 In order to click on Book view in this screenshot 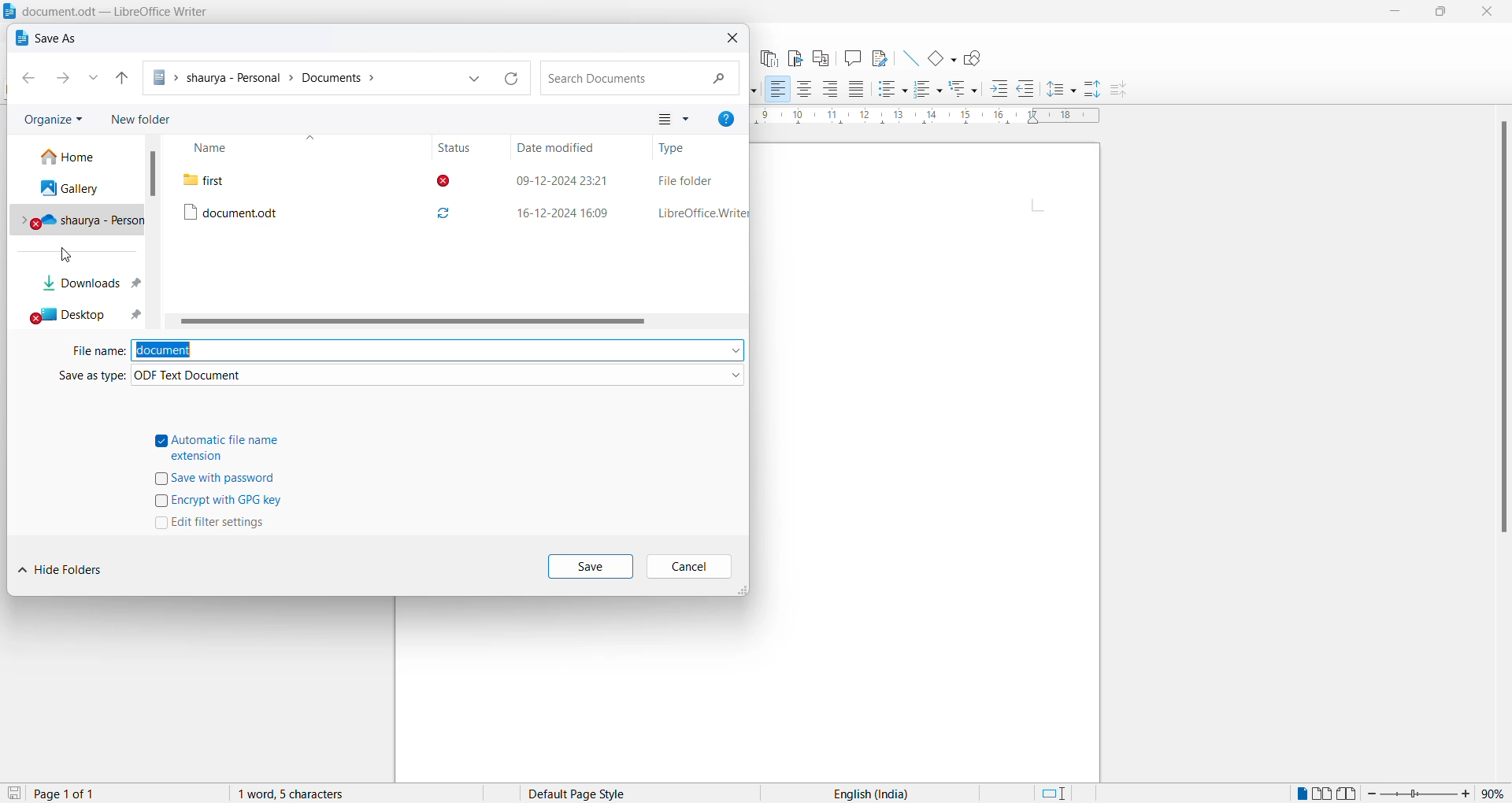, I will do `click(1349, 793)`.